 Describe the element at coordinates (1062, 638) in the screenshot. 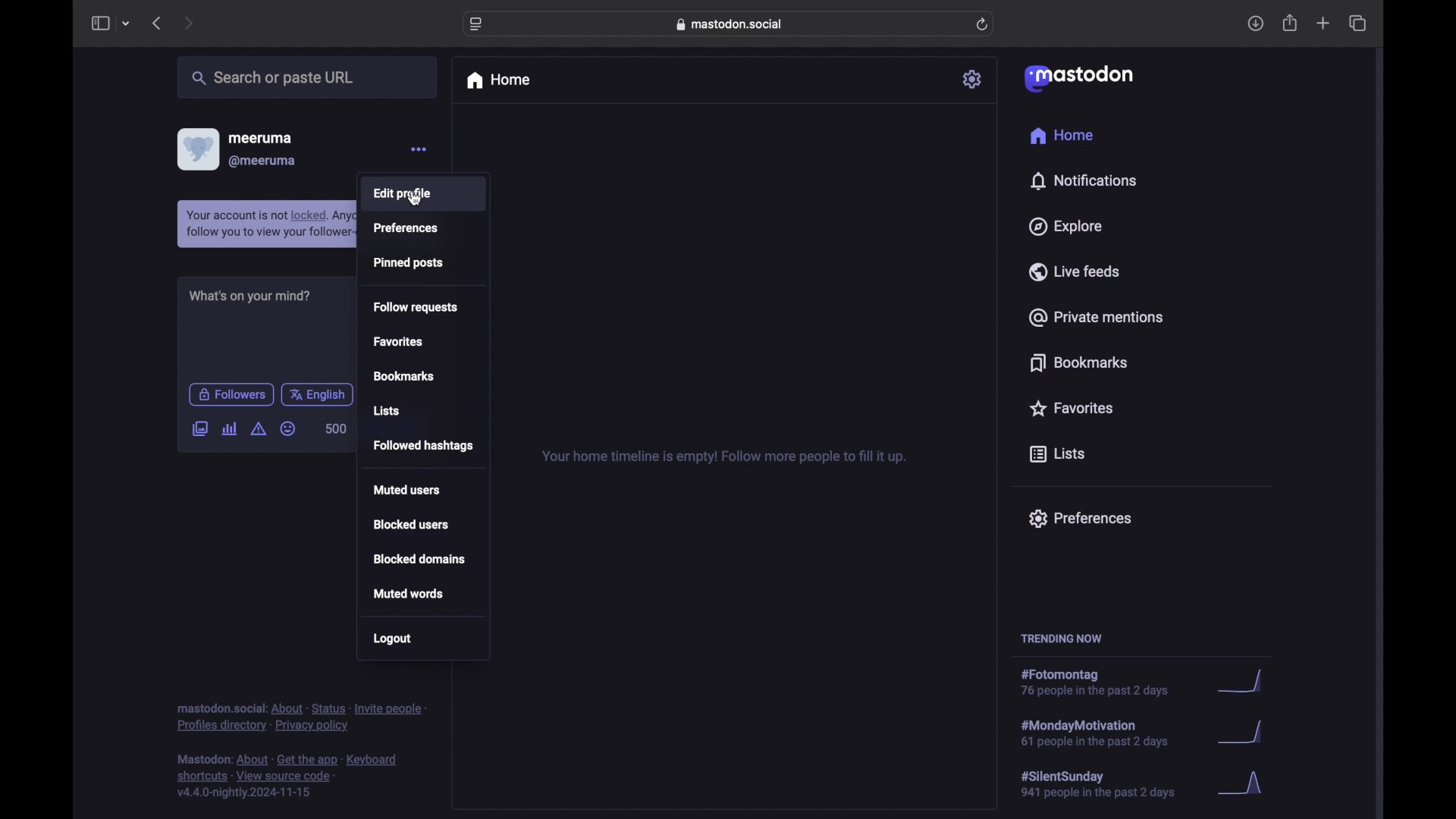

I see `trending now` at that location.